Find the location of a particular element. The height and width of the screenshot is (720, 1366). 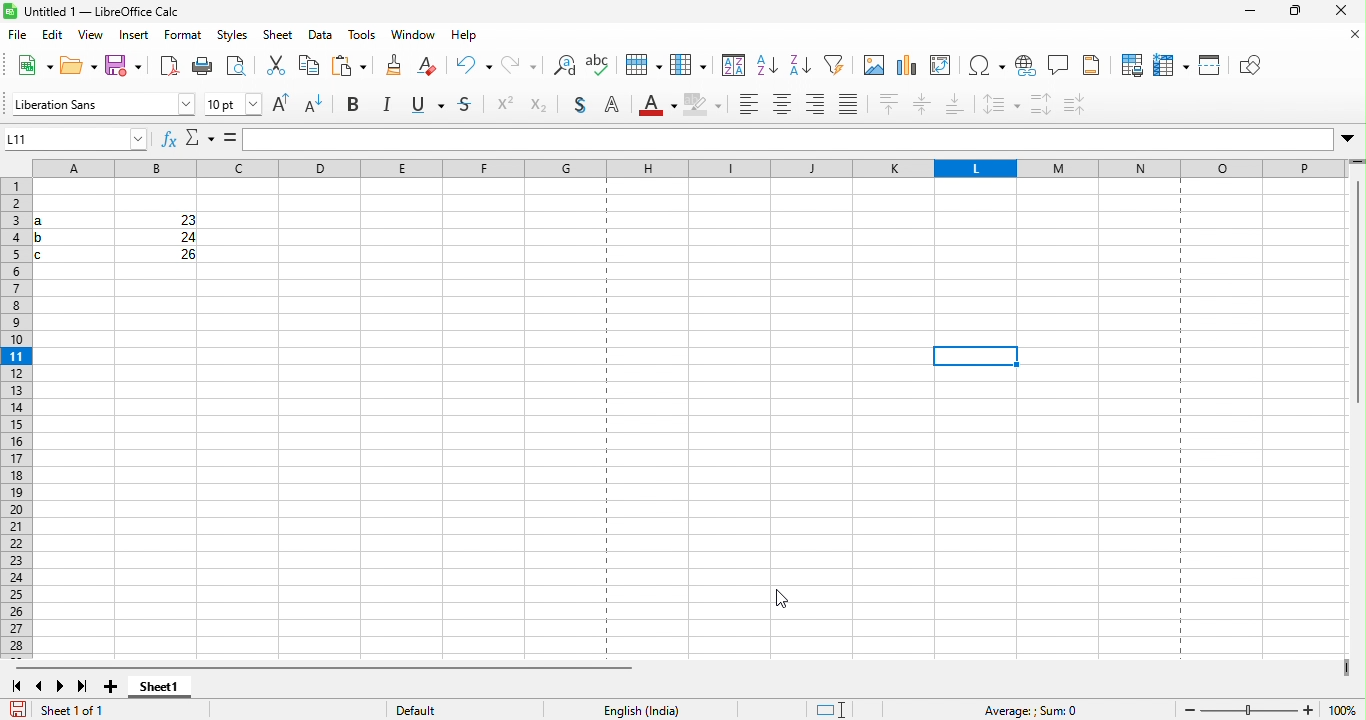

minimize is located at coordinates (1252, 13).